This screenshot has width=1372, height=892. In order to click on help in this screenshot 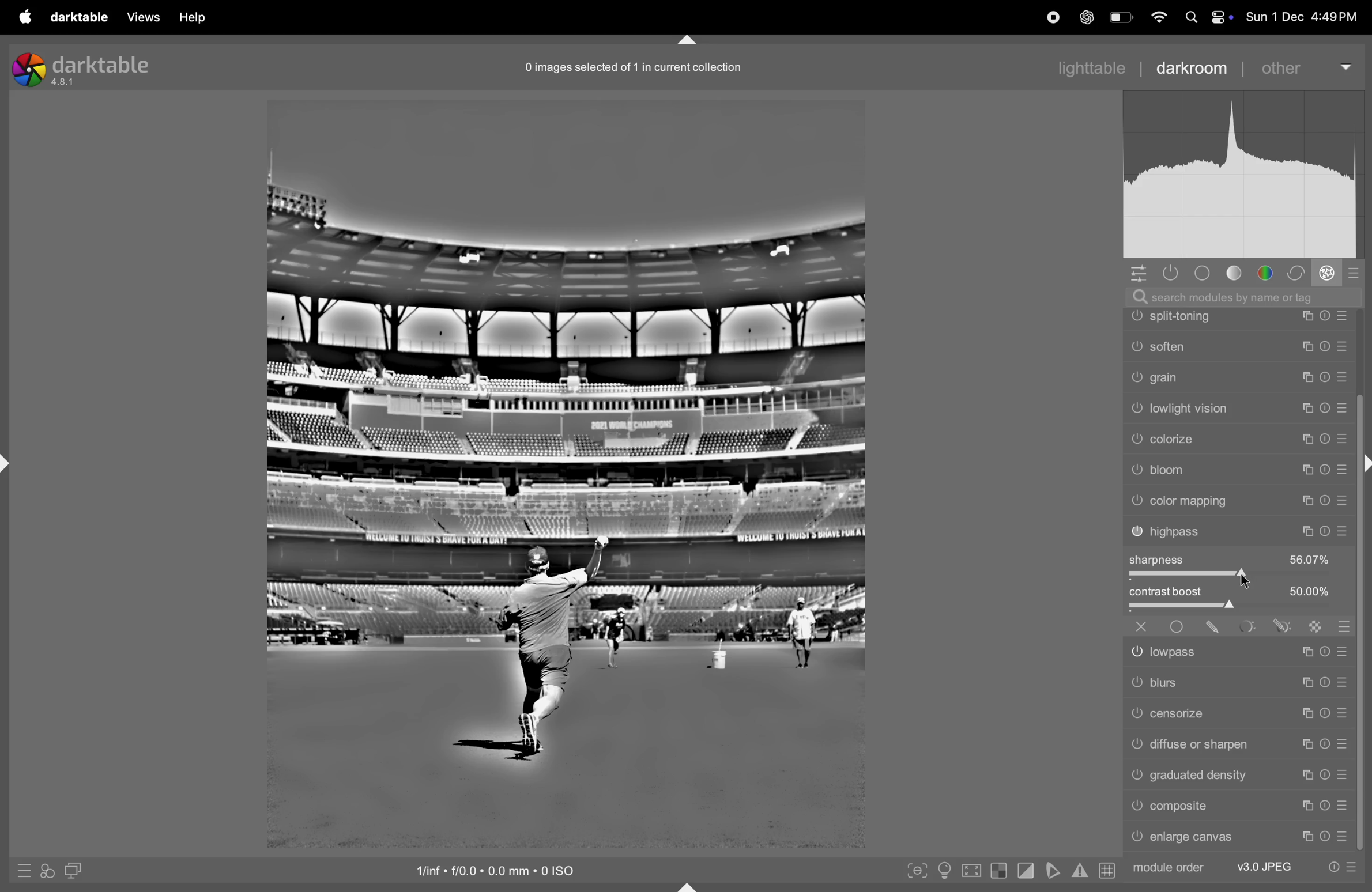, I will do `click(191, 17)`.